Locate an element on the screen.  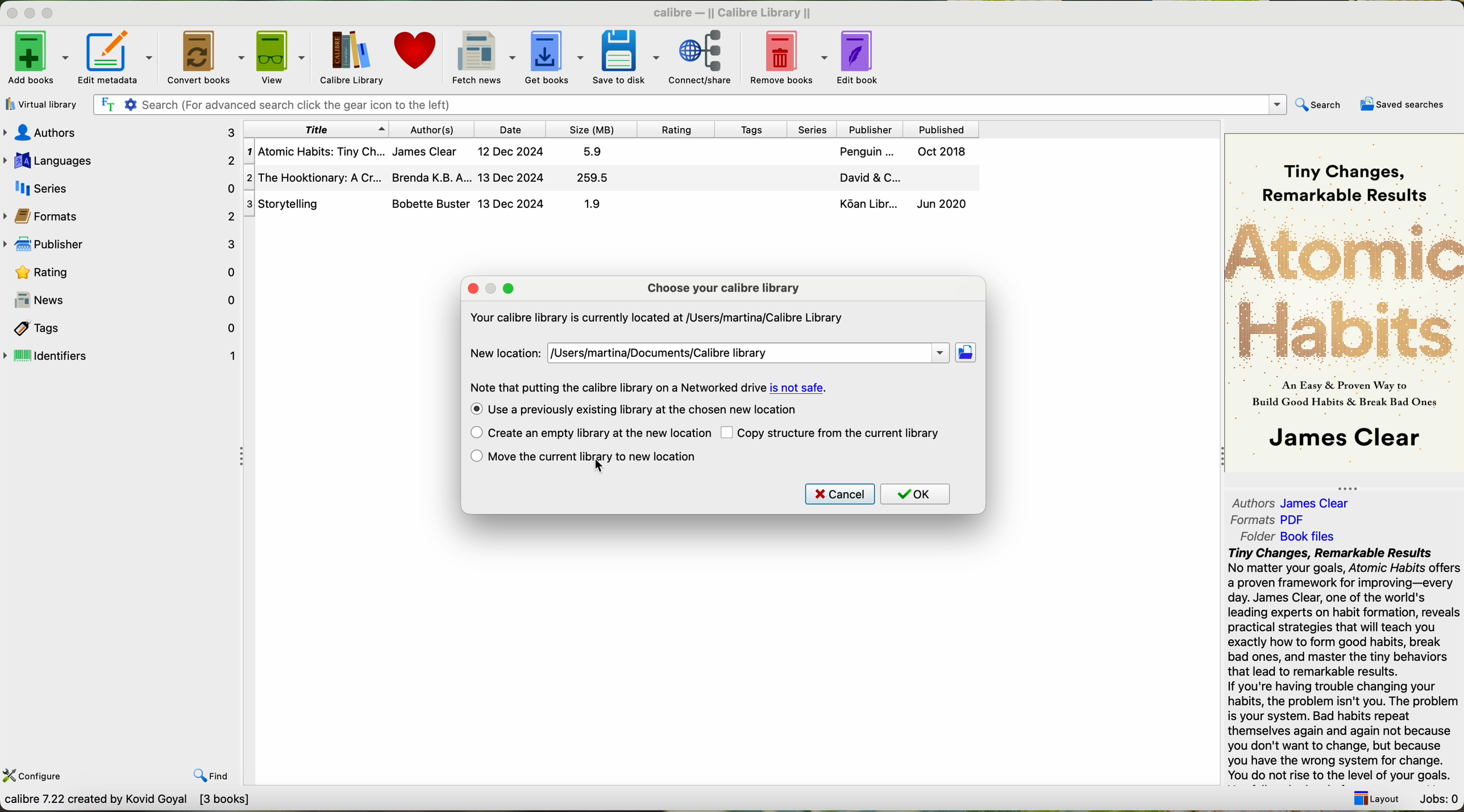
virtual library is located at coordinates (43, 105).